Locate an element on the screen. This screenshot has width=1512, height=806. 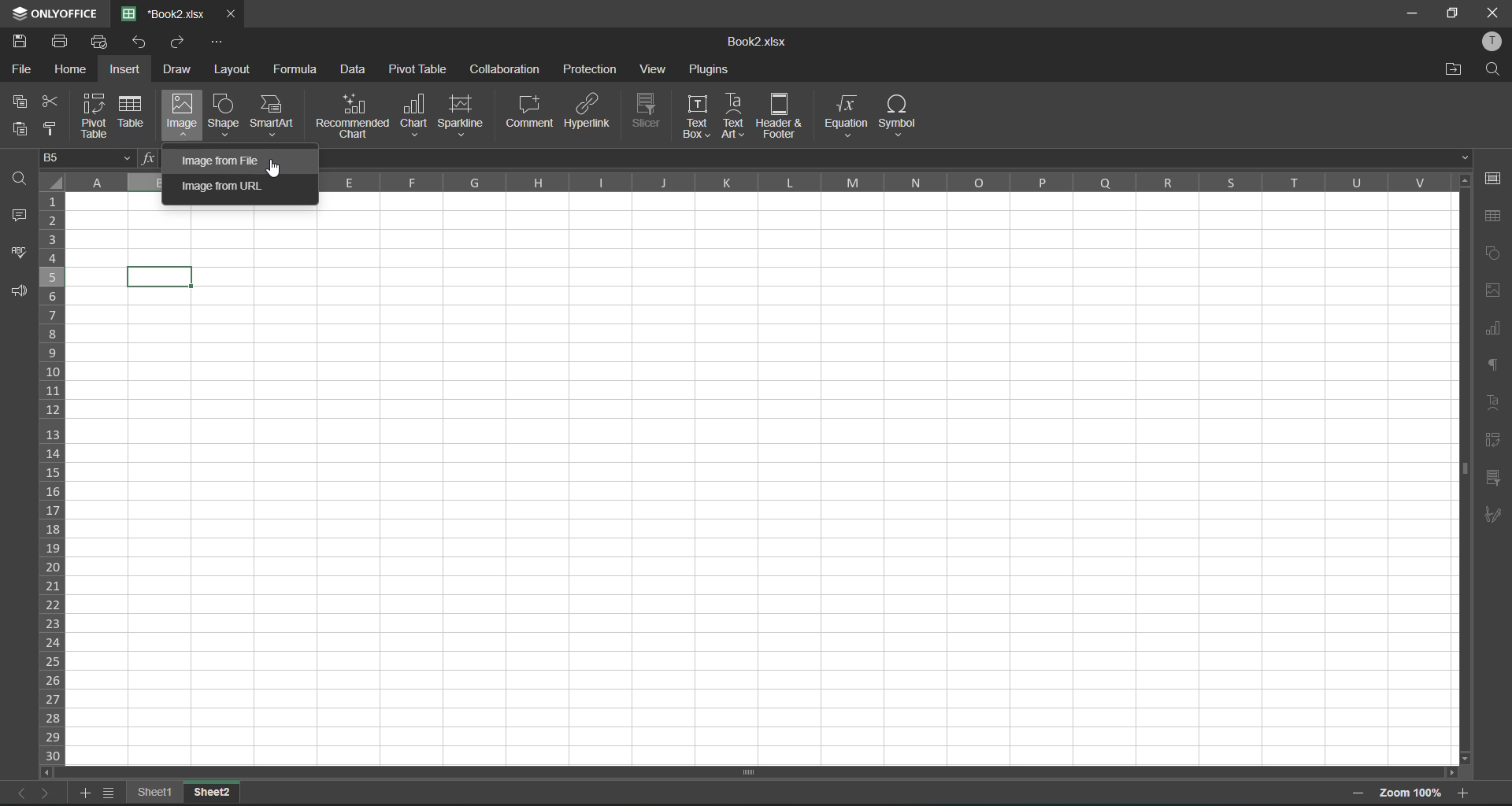
protection is located at coordinates (589, 71).